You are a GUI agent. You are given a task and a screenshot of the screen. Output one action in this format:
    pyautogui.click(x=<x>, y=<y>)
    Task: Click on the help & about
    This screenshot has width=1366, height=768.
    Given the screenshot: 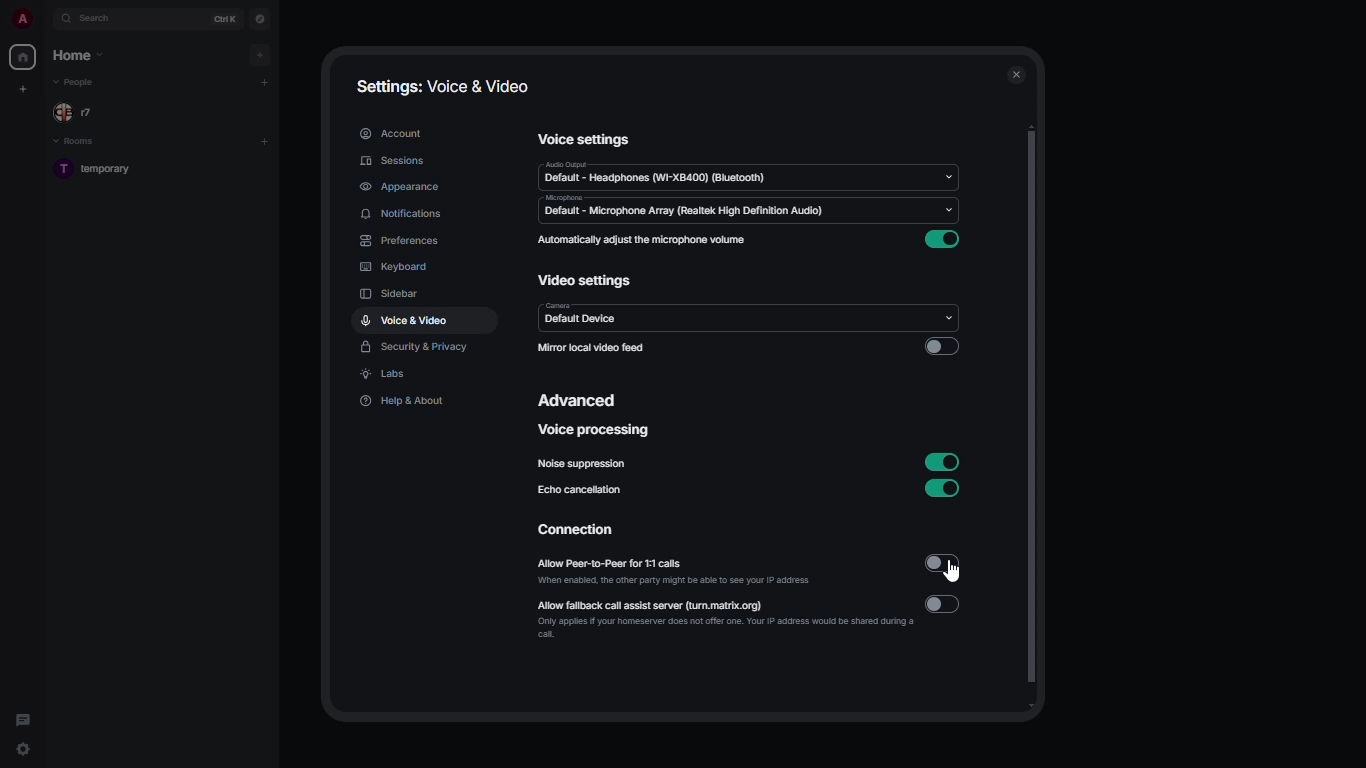 What is the action you would take?
    pyautogui.click(x=403, y=402)
    